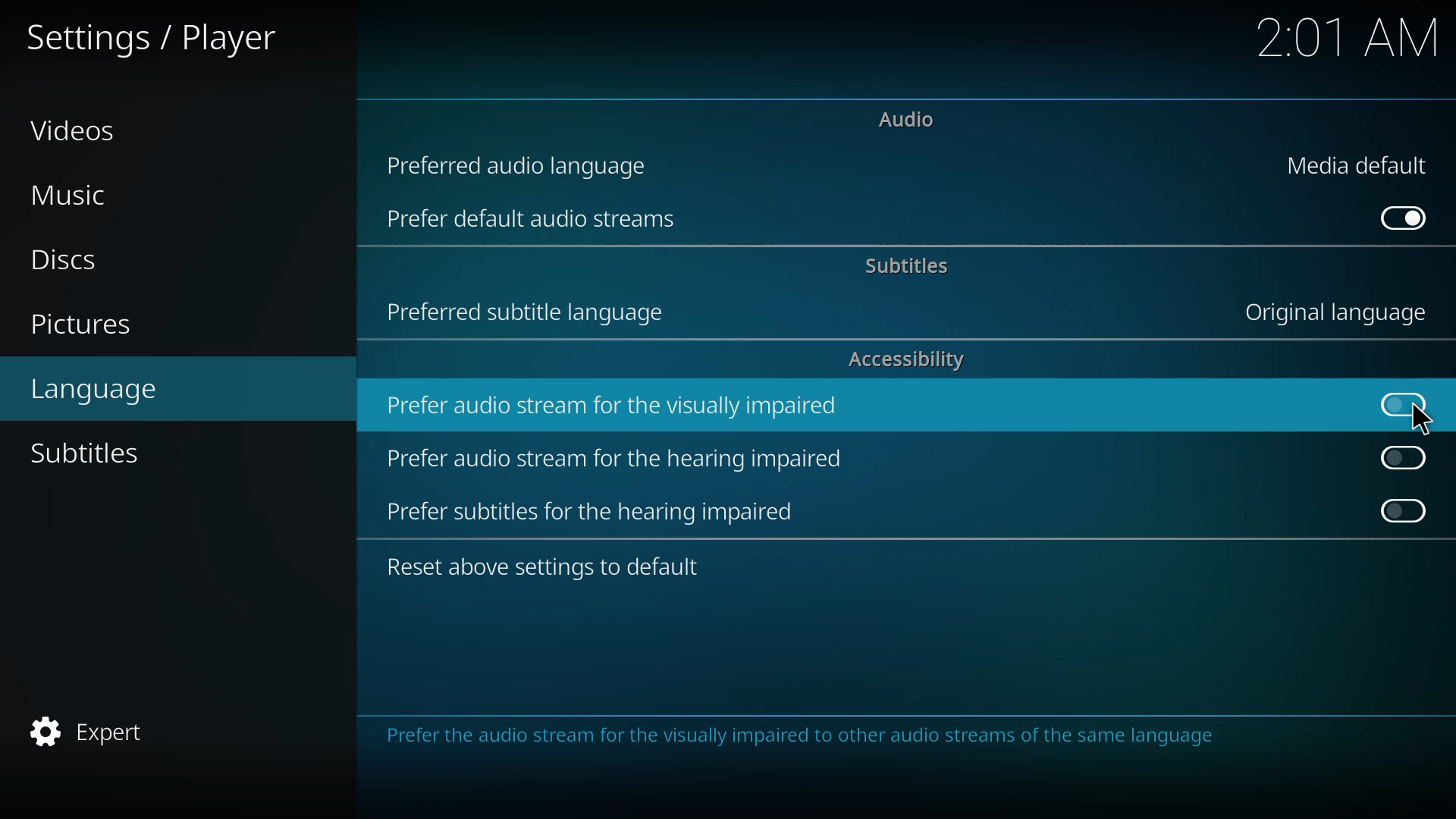 The width and height of the screenshot is (1456, 819). I want to click on expert, so click(93, 730).